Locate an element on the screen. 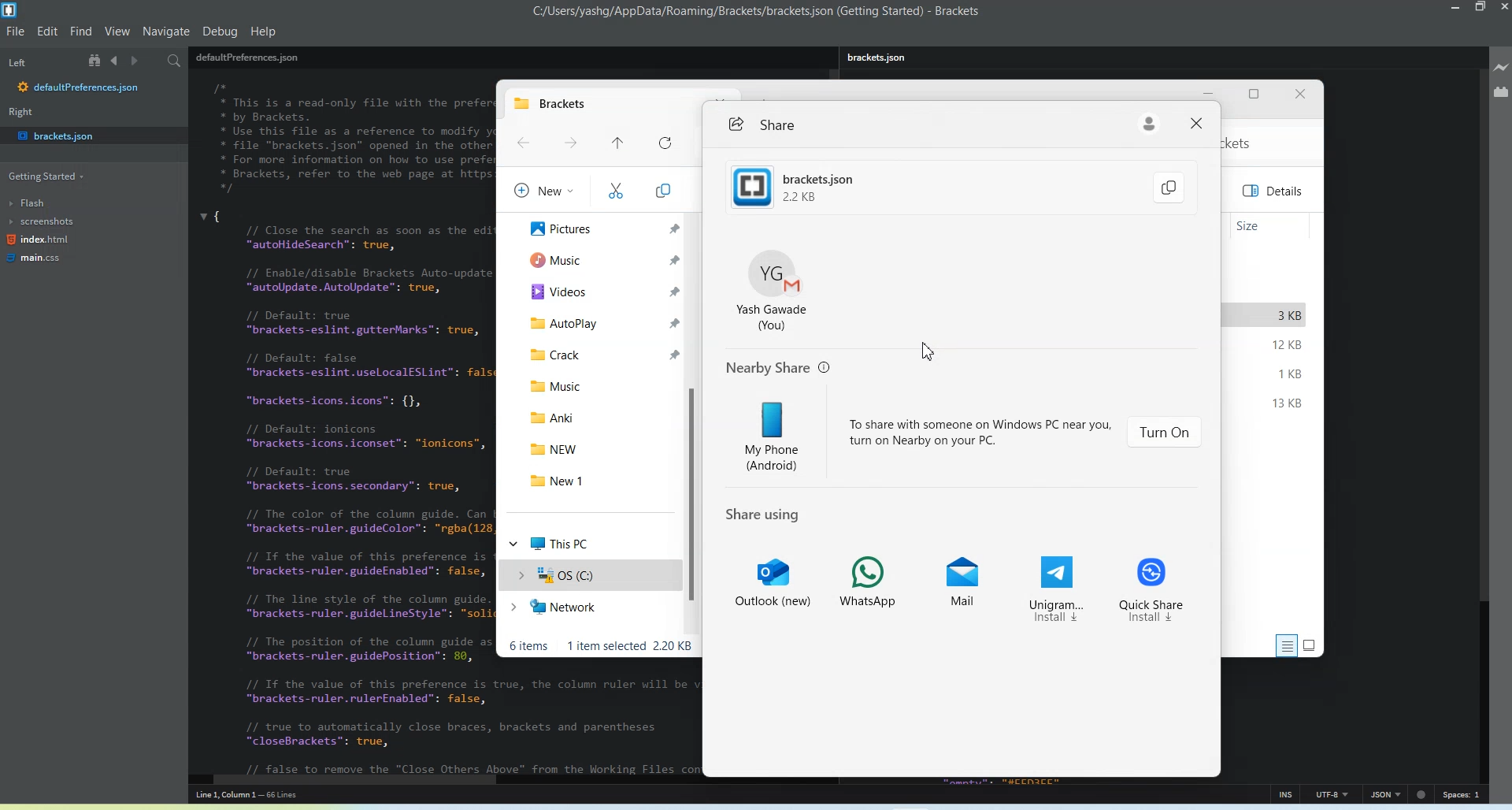 The image size is (1512, 810). Unigram is located at coordinates (1056, 582).